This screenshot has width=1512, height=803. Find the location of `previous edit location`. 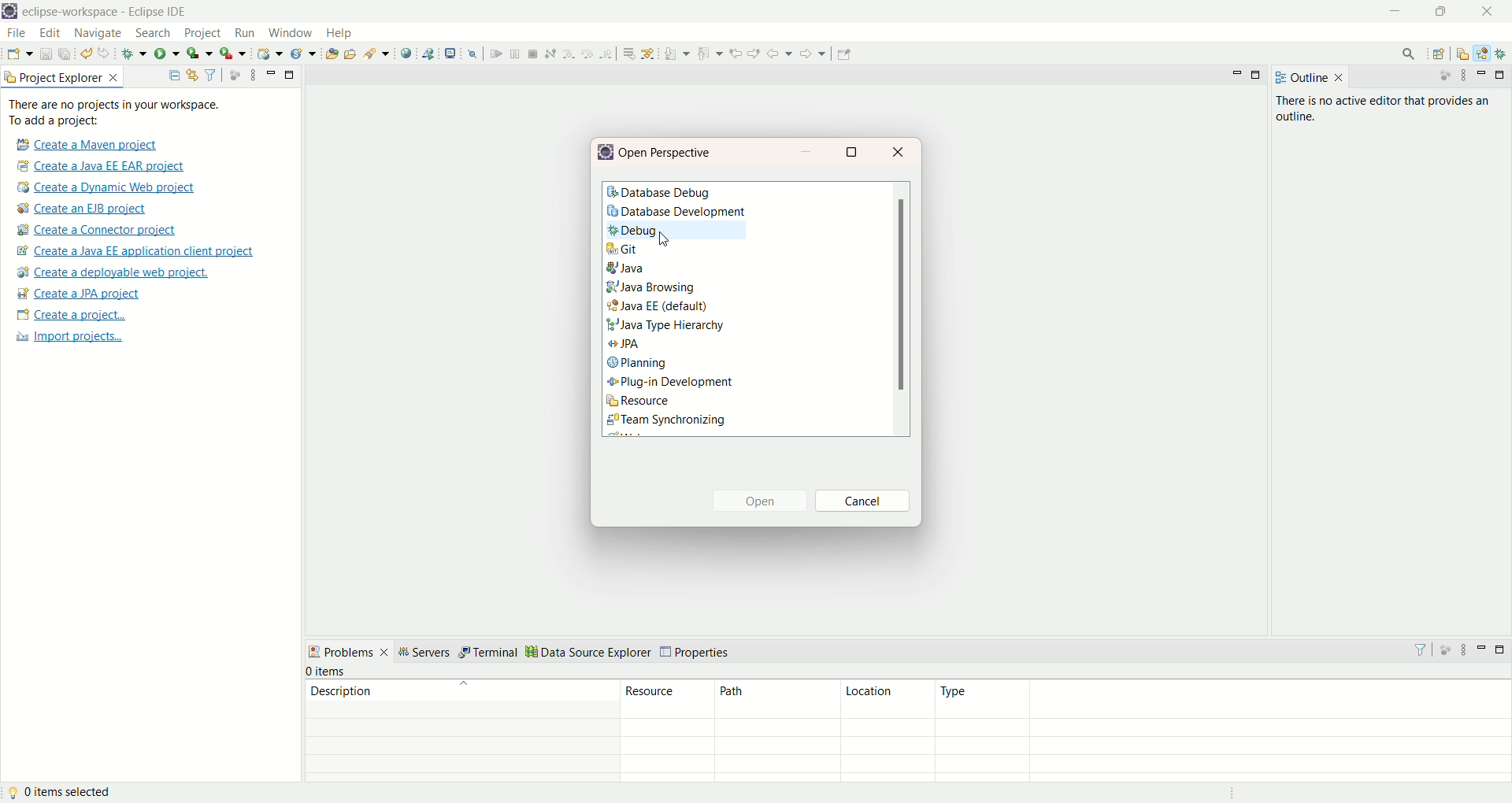

previous edit location is located at coordinates (736, 53).